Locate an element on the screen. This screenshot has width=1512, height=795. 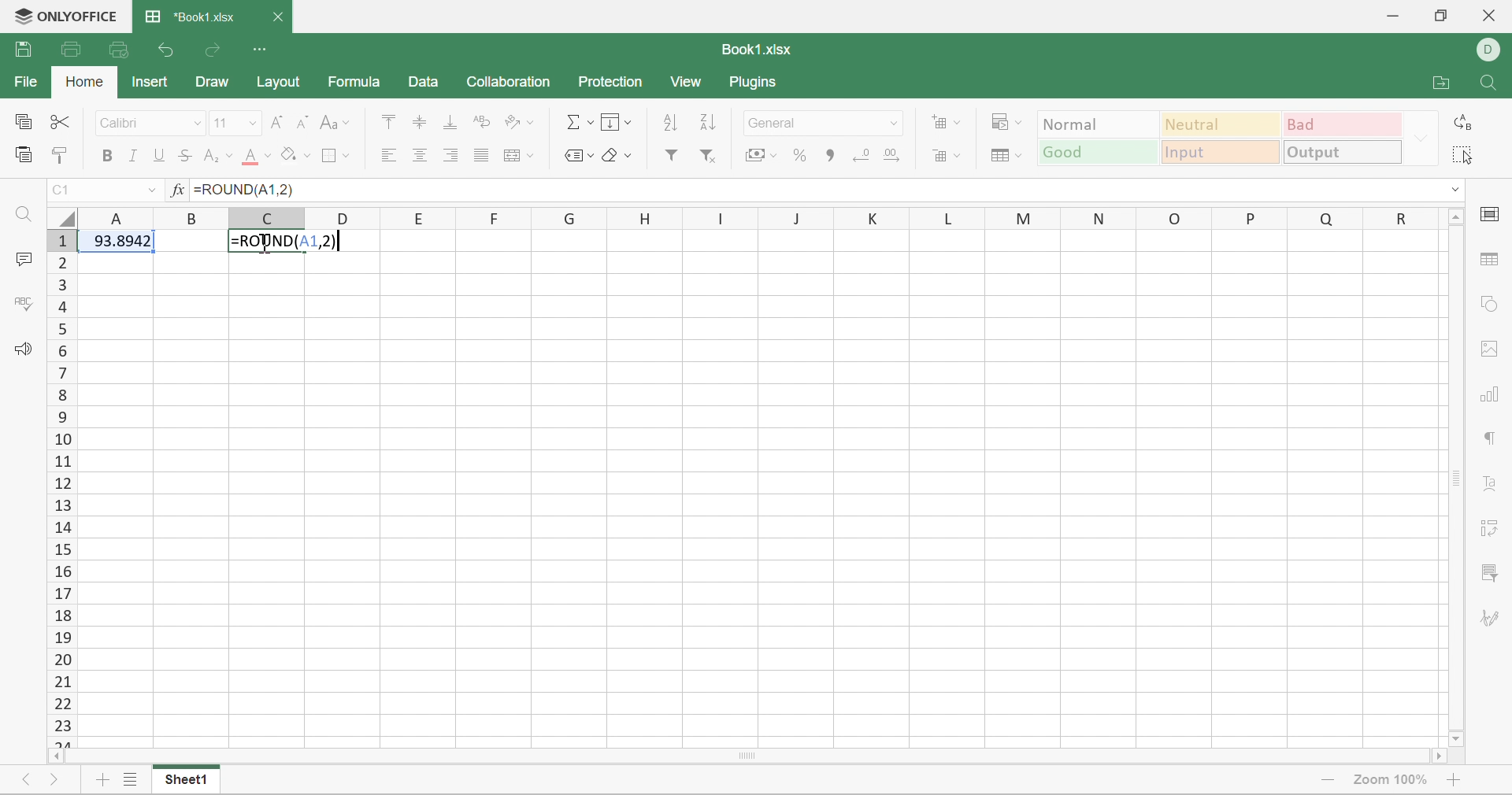
Increment font size is located at coordinates (279, 120).